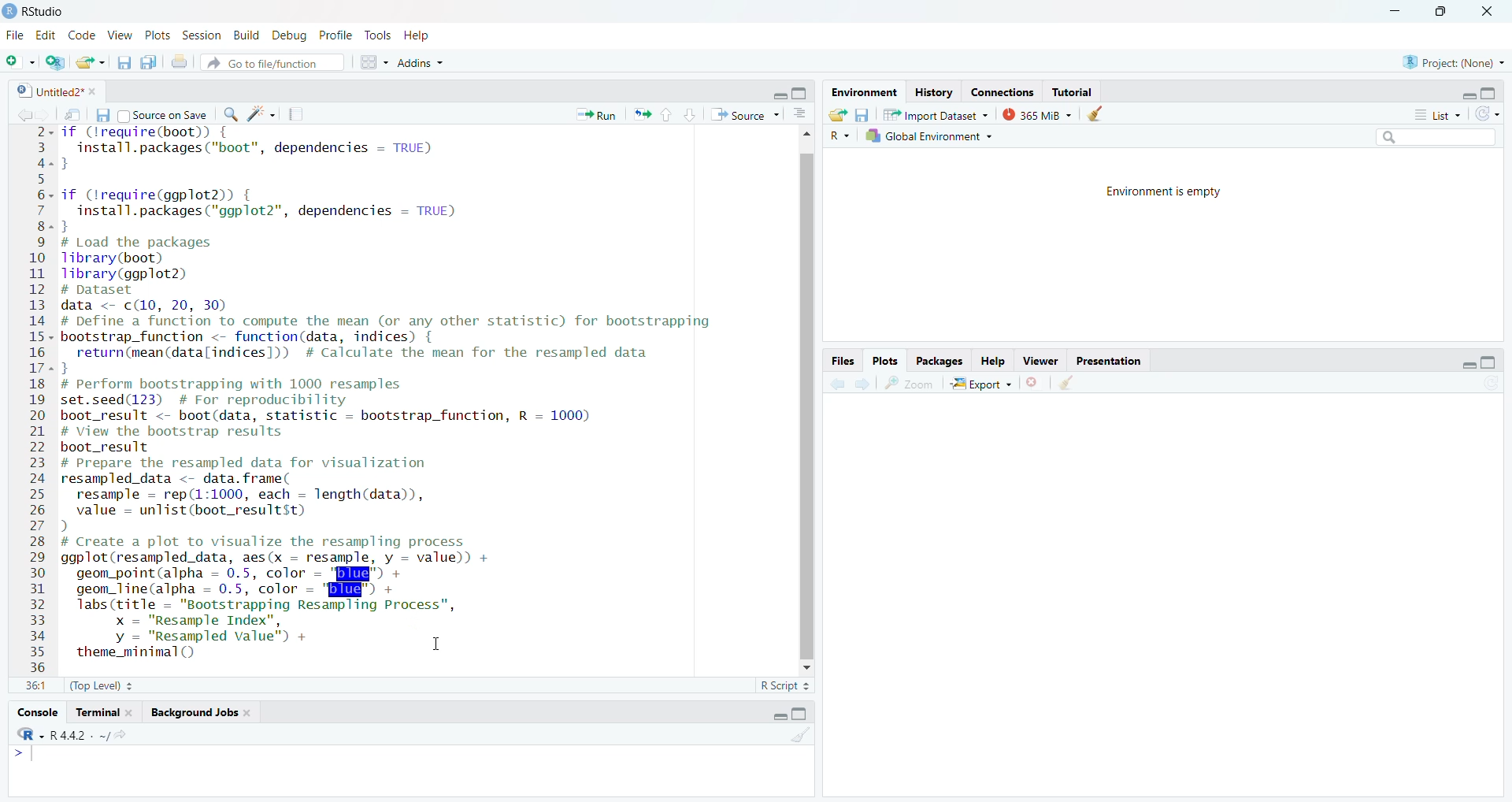  I want to click on search bar, so click(1432, 136).